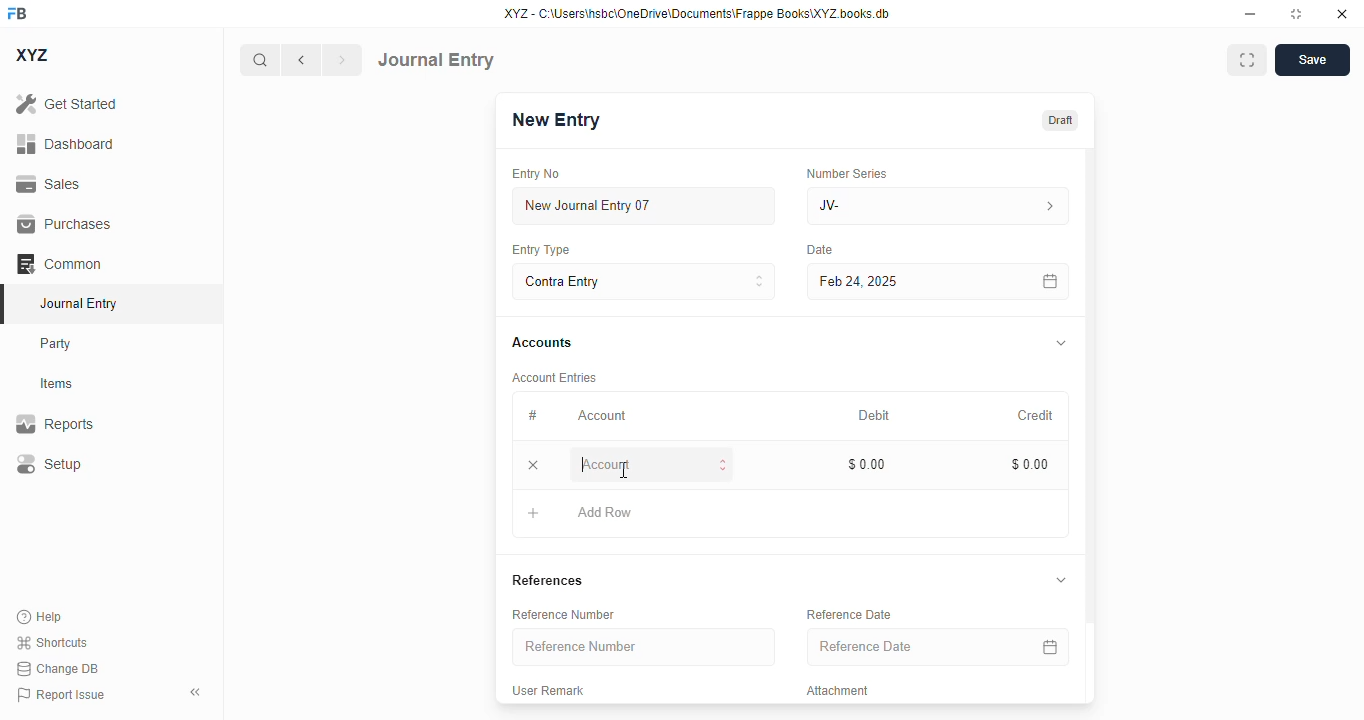 The height and width of the screenshot is (720, 1364). What do you see at coordinates (605, 512) in the screenshot?
I see `add row ` at bounding box center [605, 512].